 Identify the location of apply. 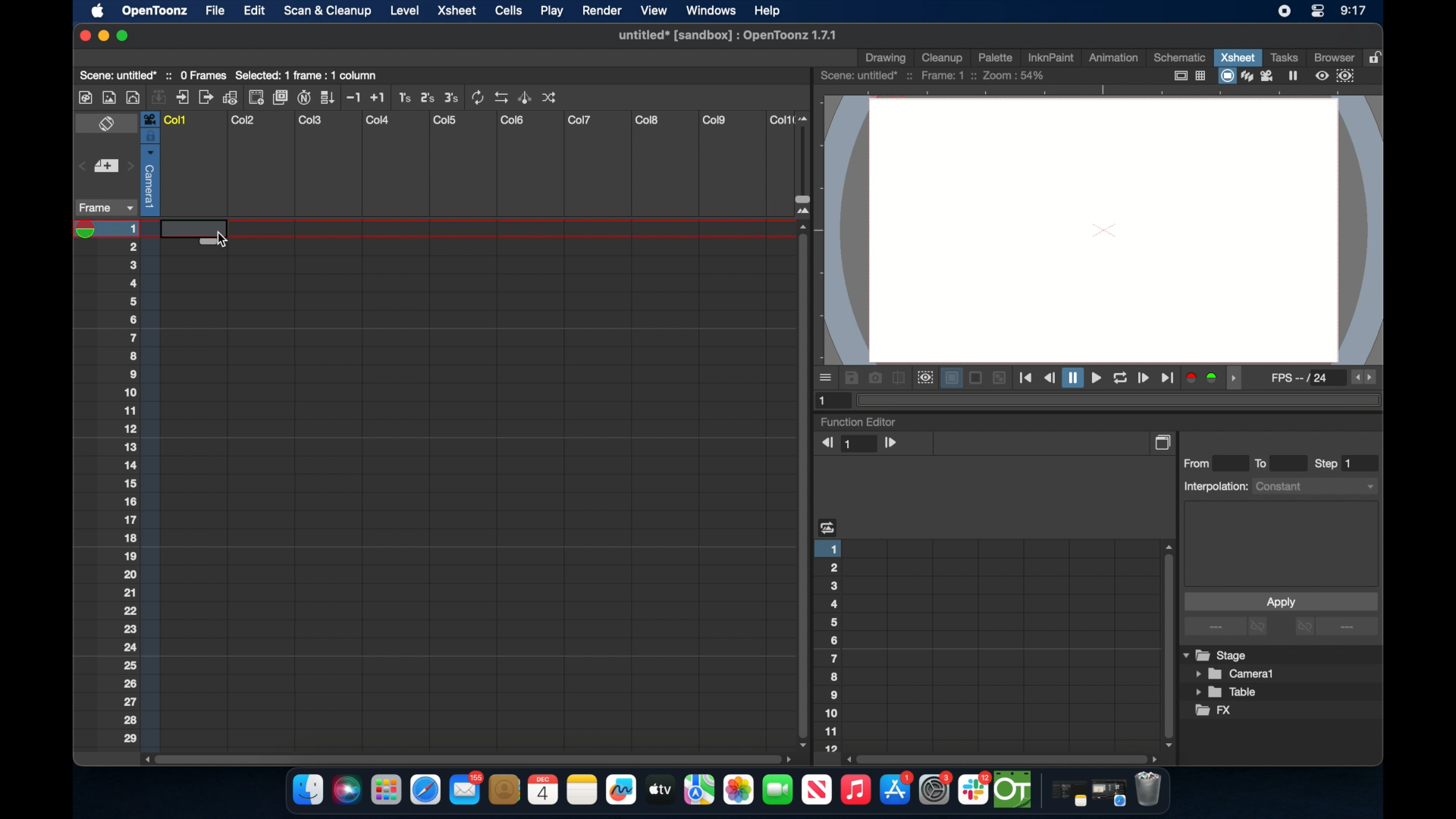
(1280, 601).